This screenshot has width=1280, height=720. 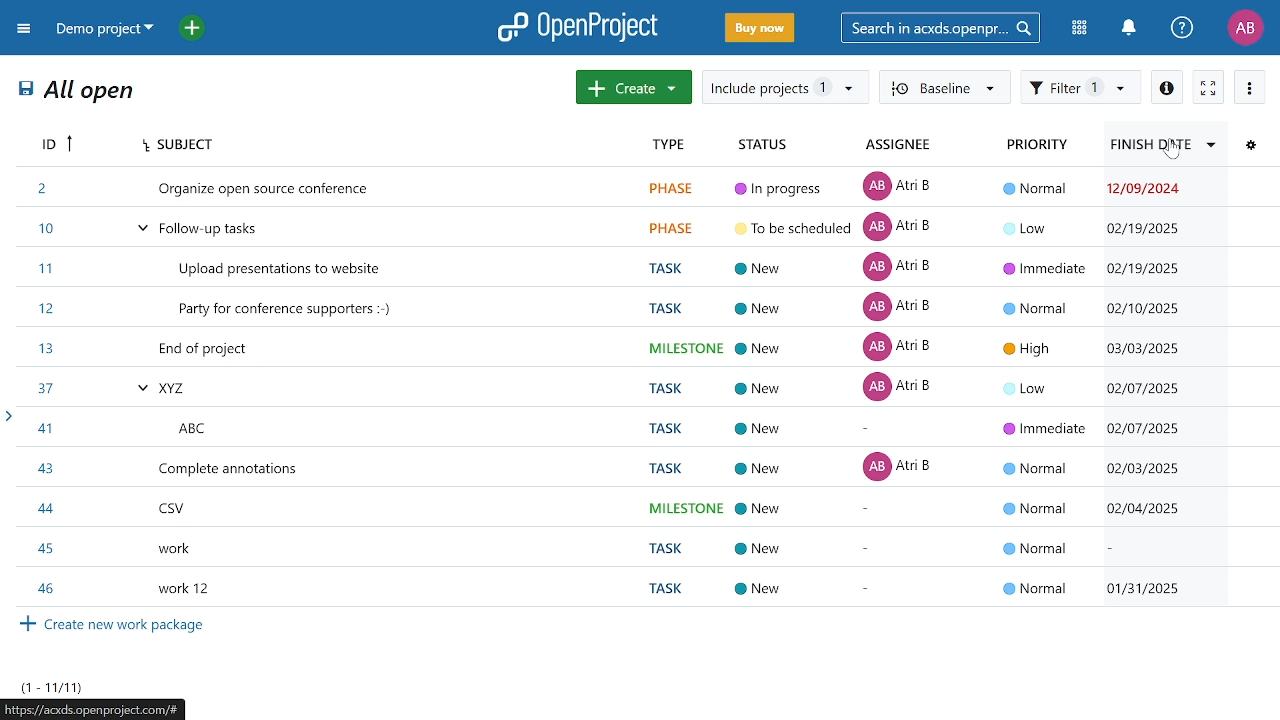 What do you see at coordinates (1163, 145) in the screenshot?
I see `finish date` at bounding box center [1163, 145].